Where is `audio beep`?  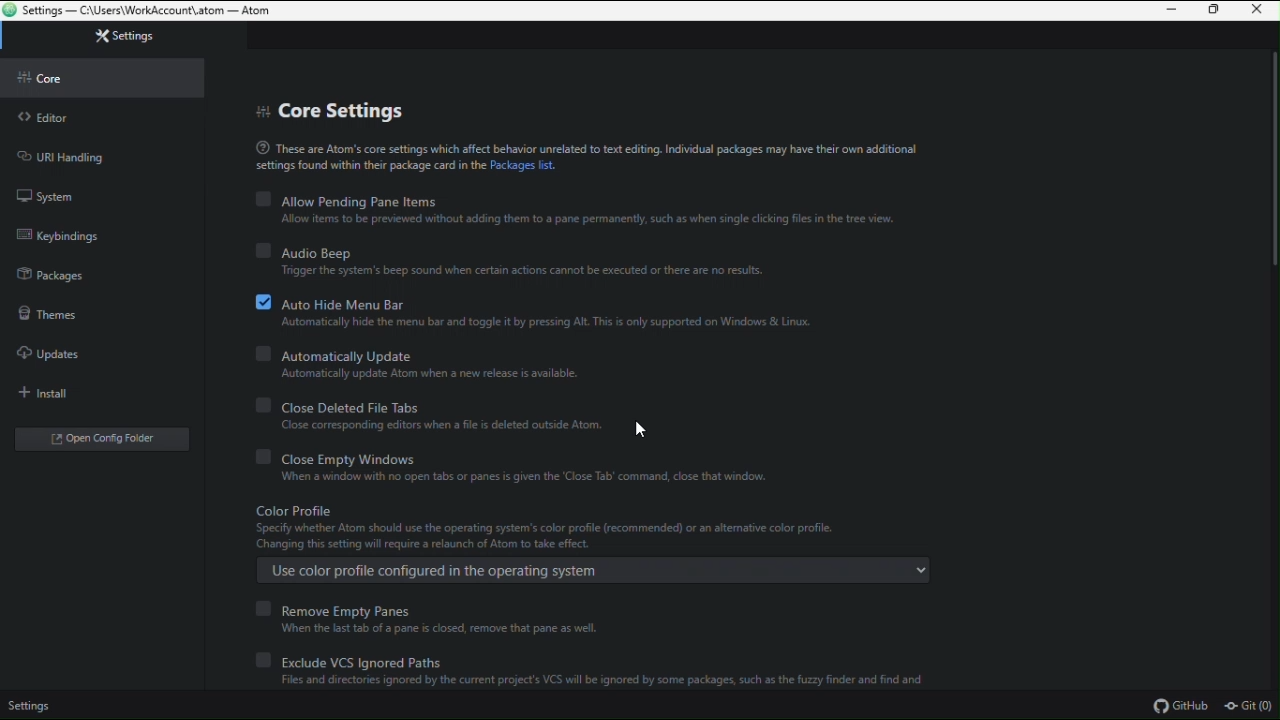
audio beep is located at coordinates (615, 251).